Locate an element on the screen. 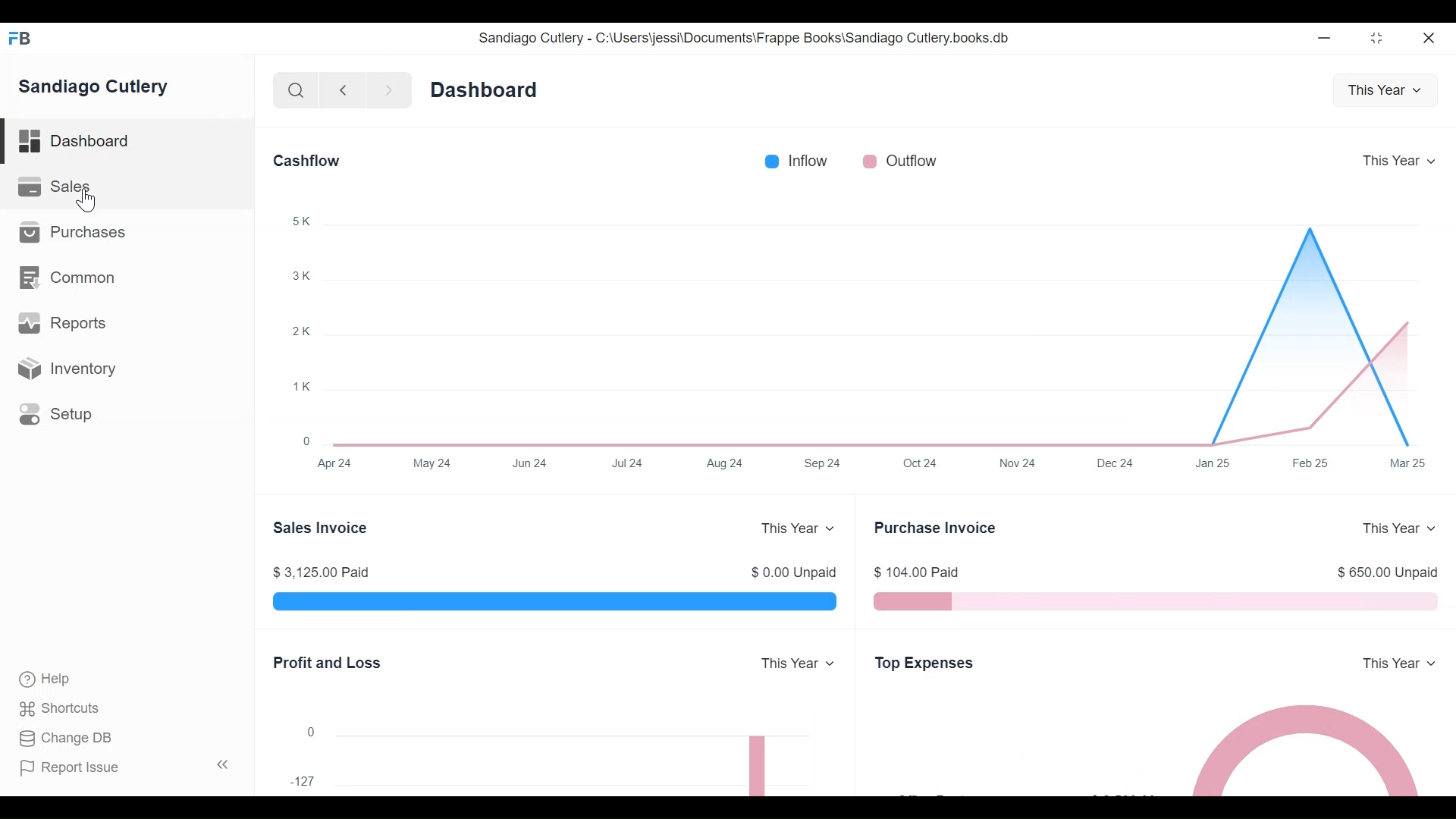 The width and height of the screenshot is (1456, 819). Inventory is located at coordinates (67, 368).